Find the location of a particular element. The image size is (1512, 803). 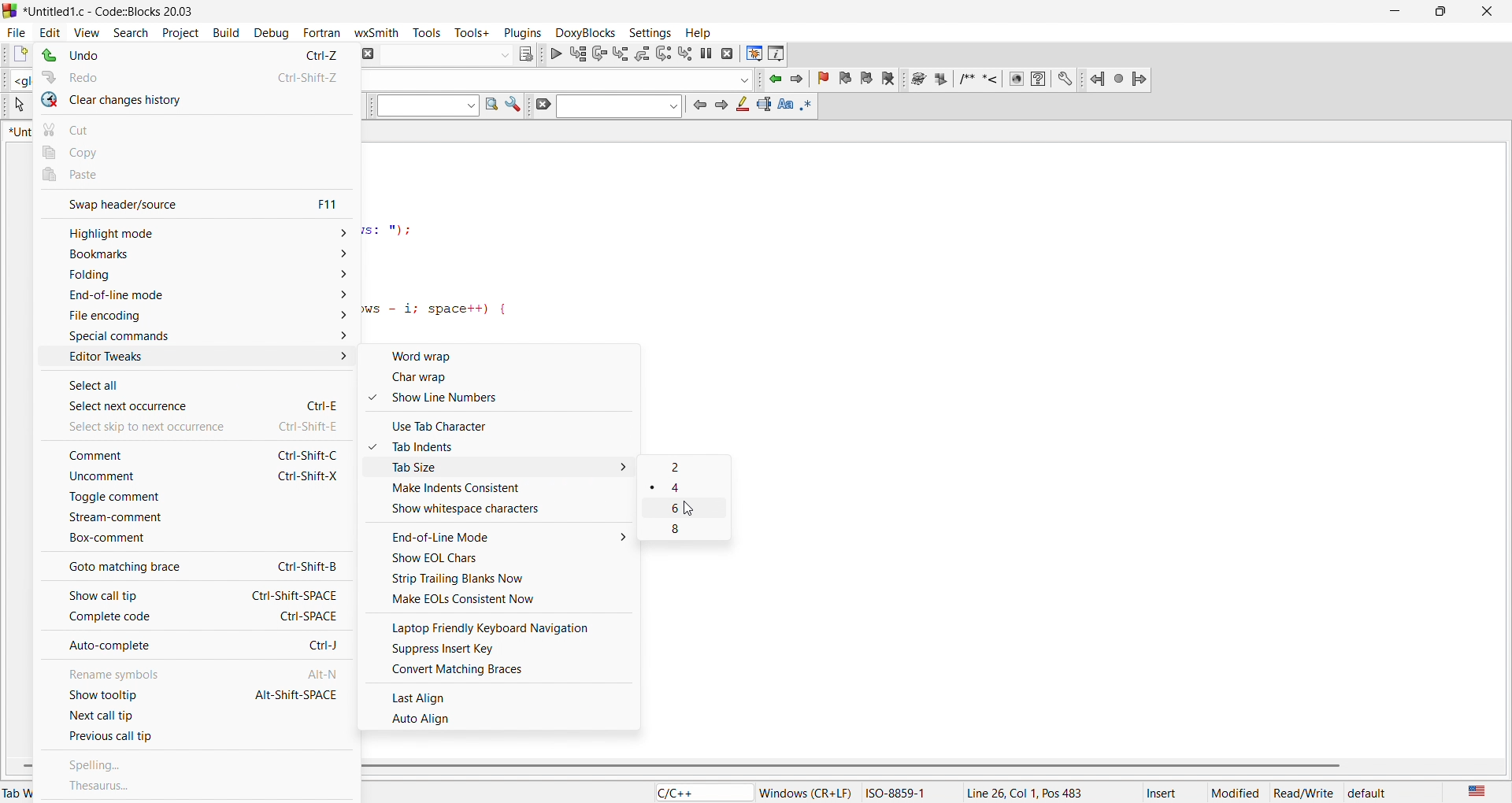

redo is located at coordinates (143, 79).